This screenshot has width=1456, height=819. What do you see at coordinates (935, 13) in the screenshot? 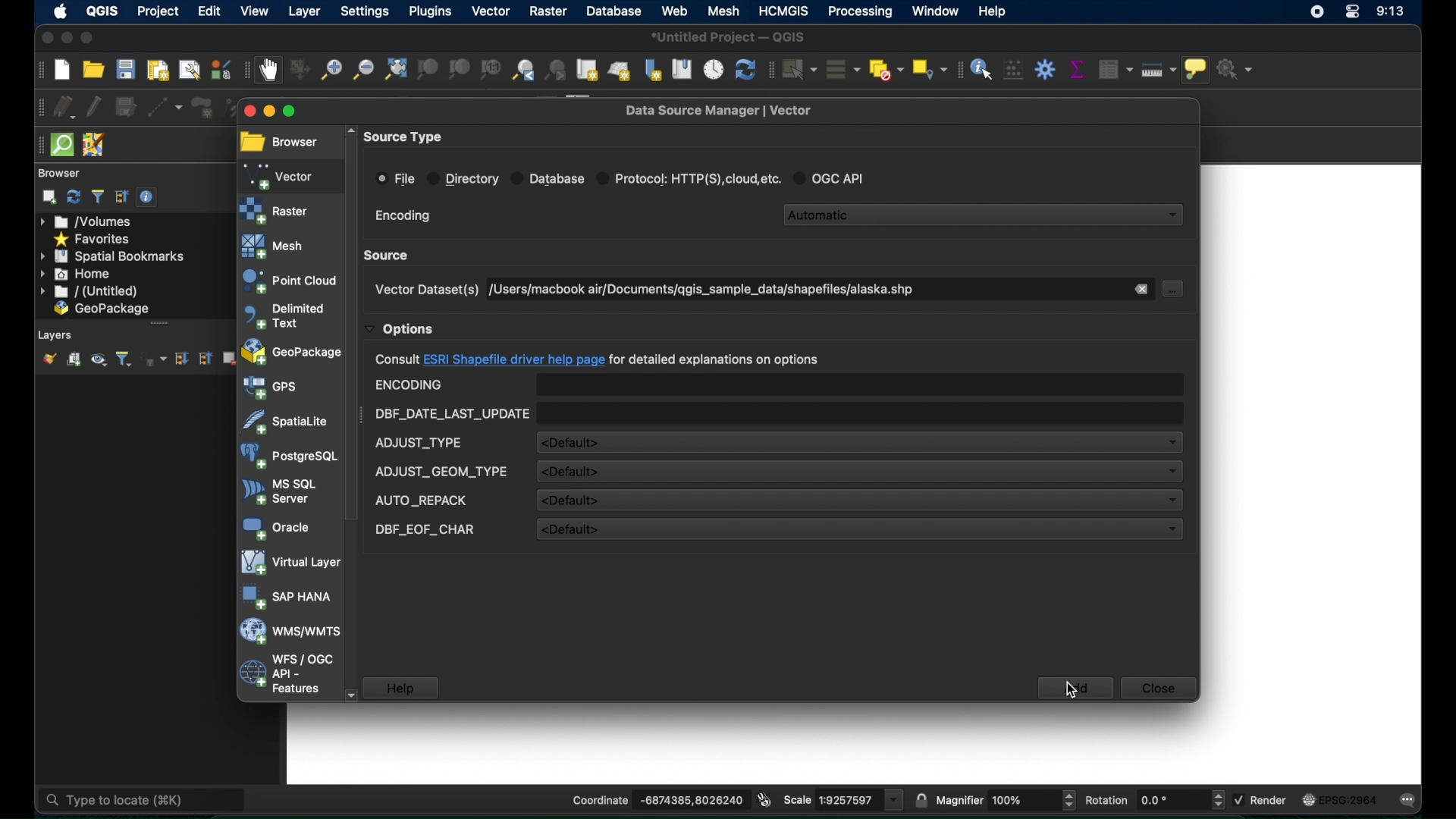
I see `window` at bounding box center [935, 13].